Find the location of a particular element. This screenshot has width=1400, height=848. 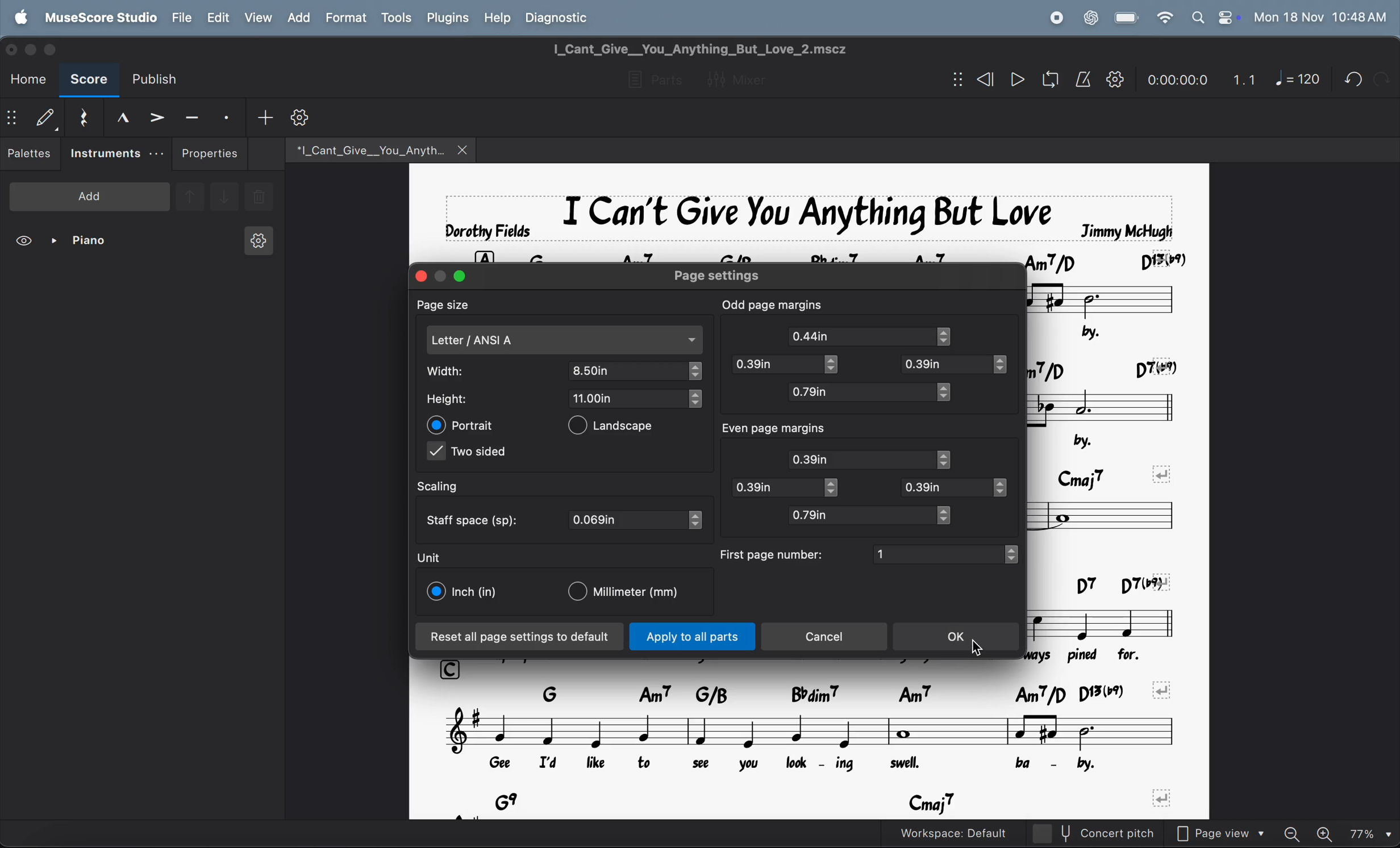

close is located at coordinates (418, 275).